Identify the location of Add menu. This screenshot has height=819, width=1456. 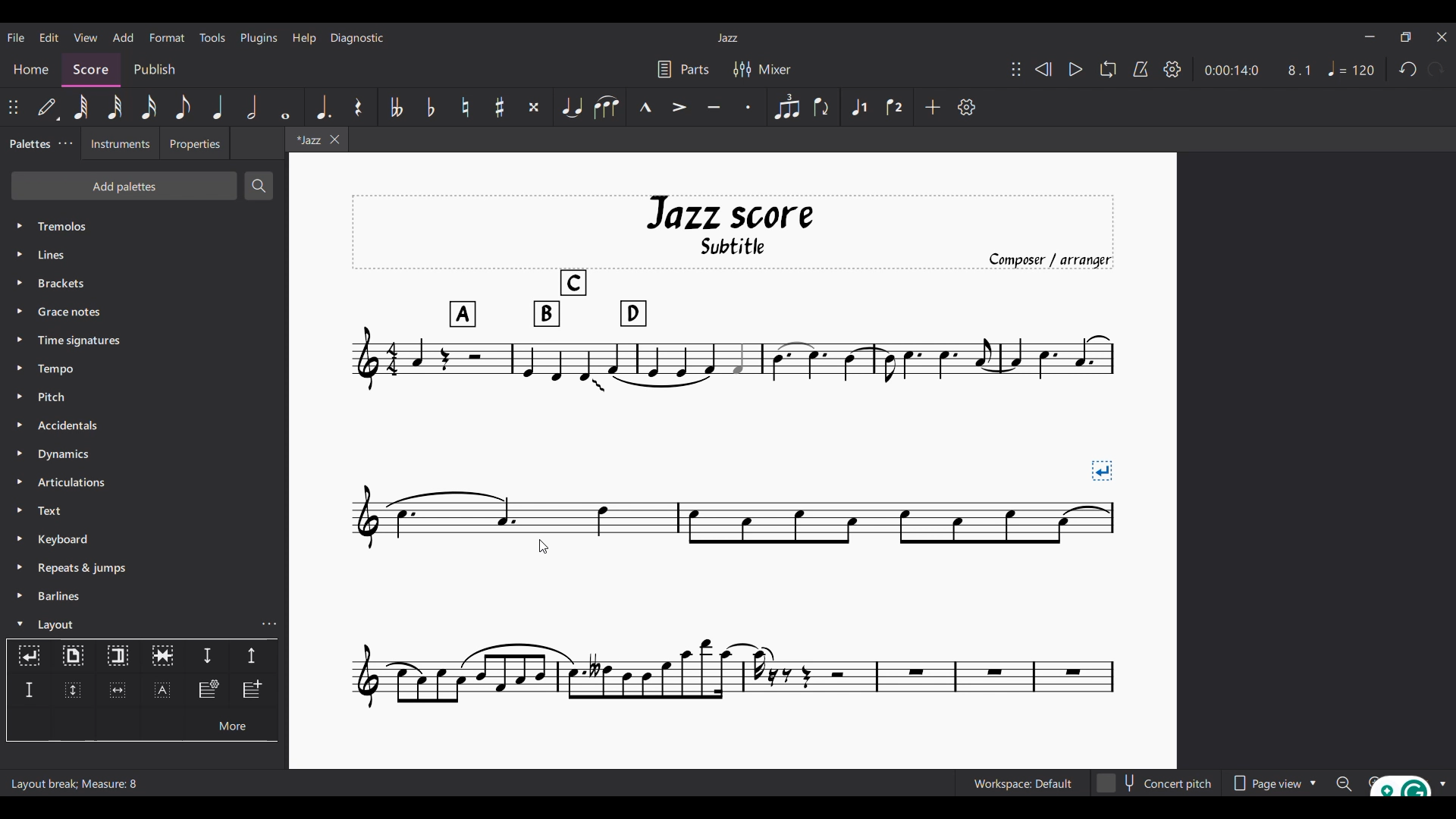
(123, 37).